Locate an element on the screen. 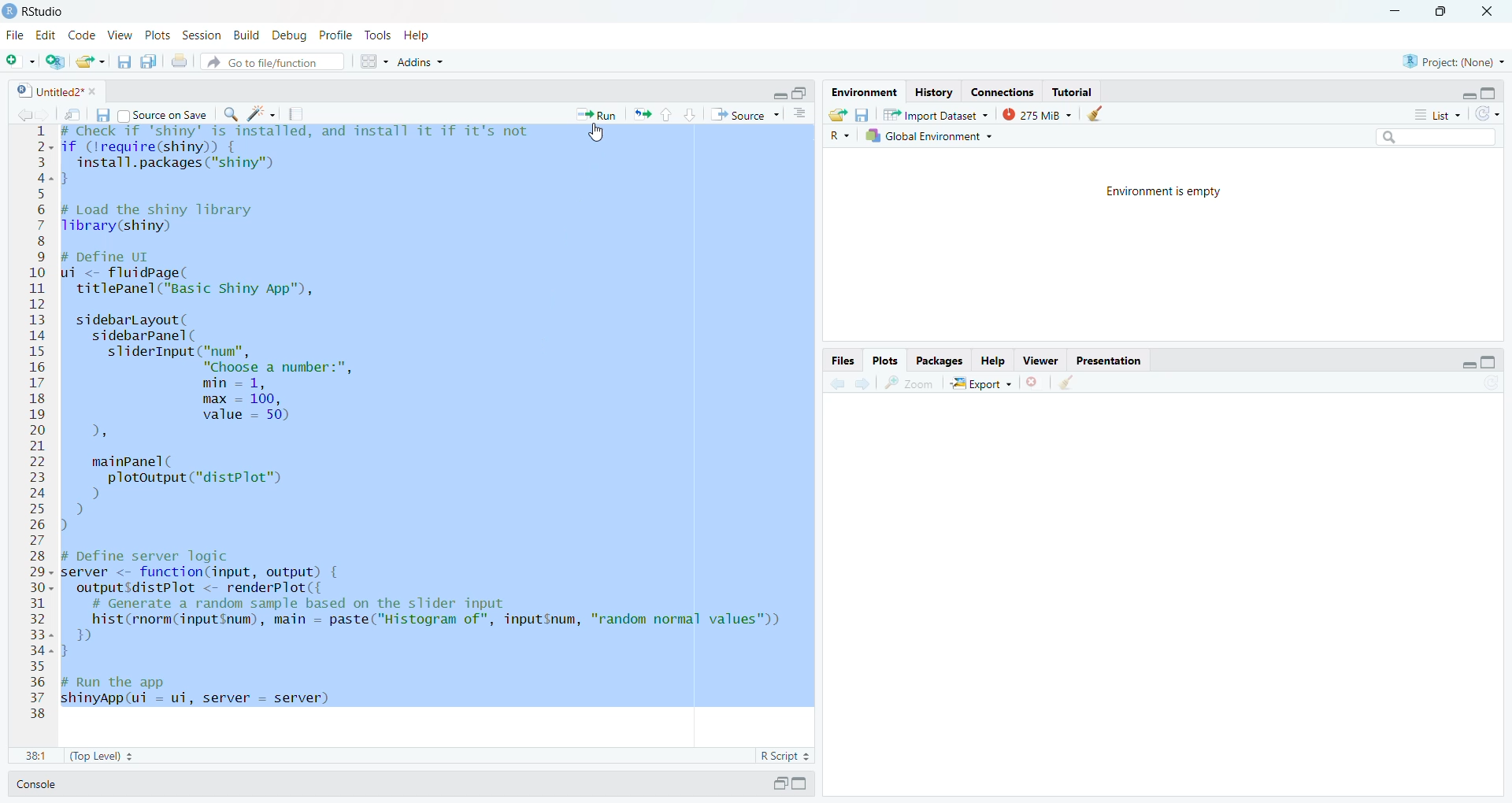 The height and width of the screenshot is (803, 1512). save is located at coordinates (102, 115).